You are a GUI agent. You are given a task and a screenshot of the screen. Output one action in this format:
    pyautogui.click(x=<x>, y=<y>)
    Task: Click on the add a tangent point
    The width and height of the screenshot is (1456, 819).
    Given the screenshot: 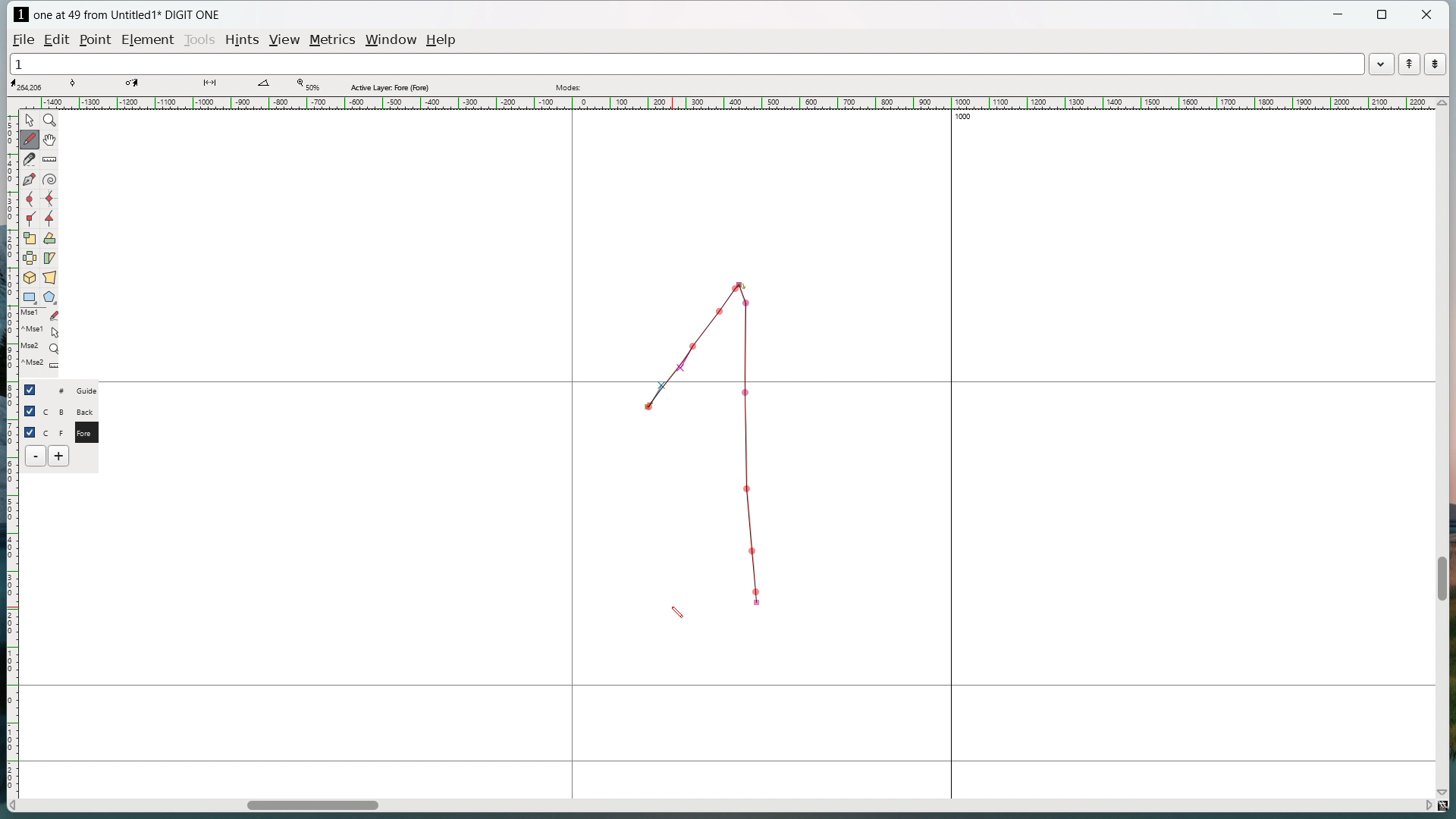 What is the action you would take?
    pyautogui.click(x=49, y=218)
    